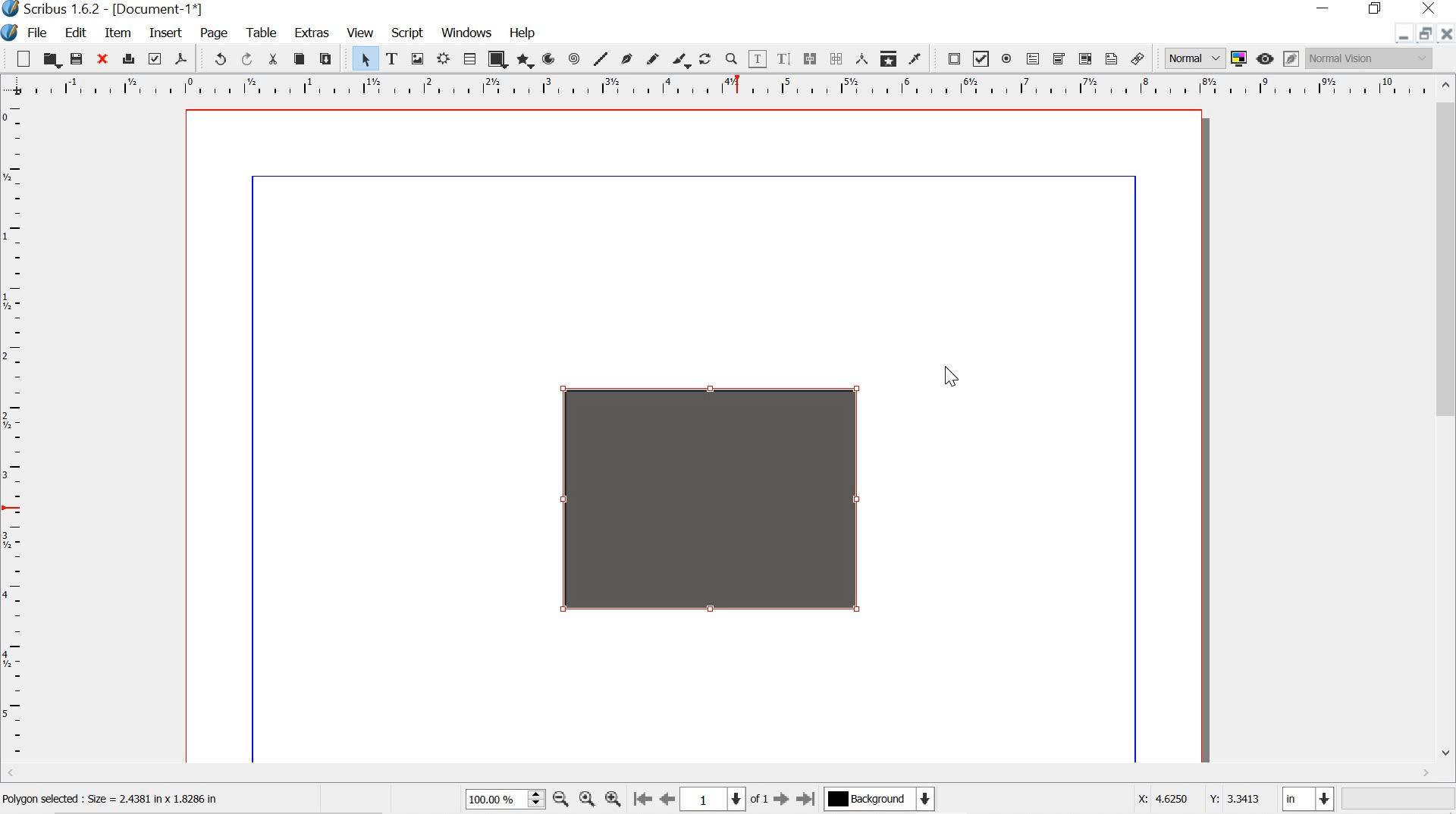  What do you see at coordinates (361, 31) in the screenshot?
I see `view` at bounding box center [361, 31].